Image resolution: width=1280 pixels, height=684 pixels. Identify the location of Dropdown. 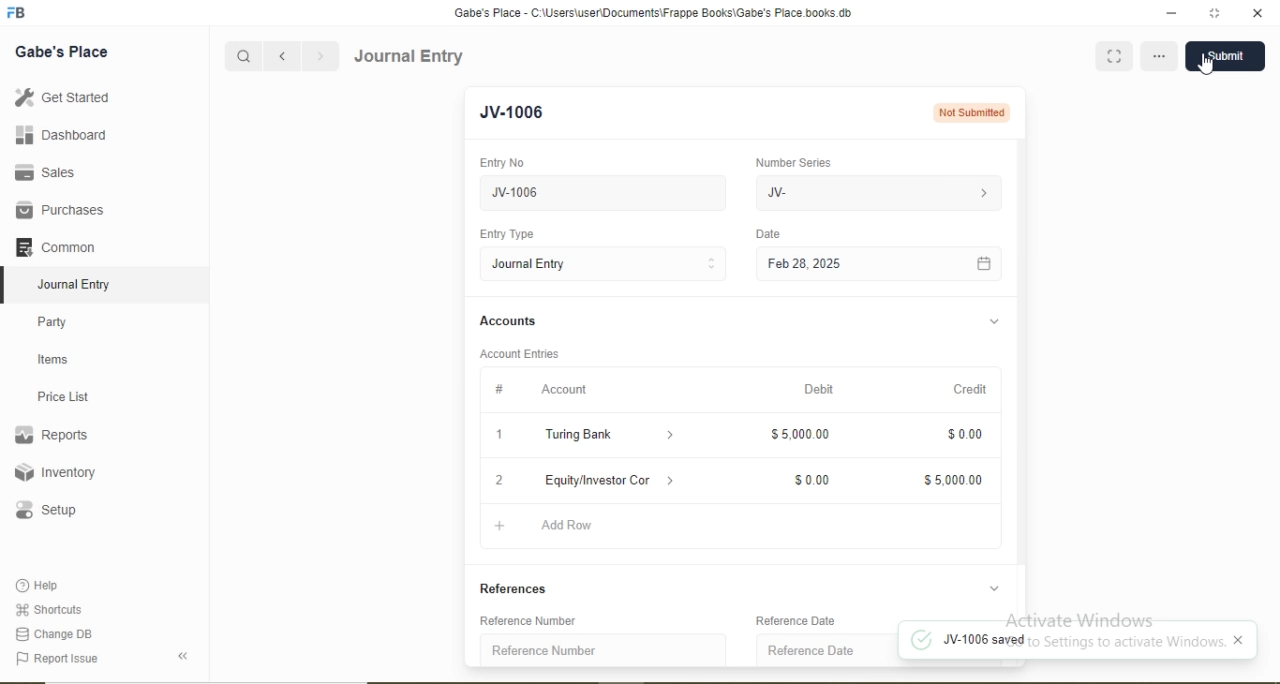
(995, 322).